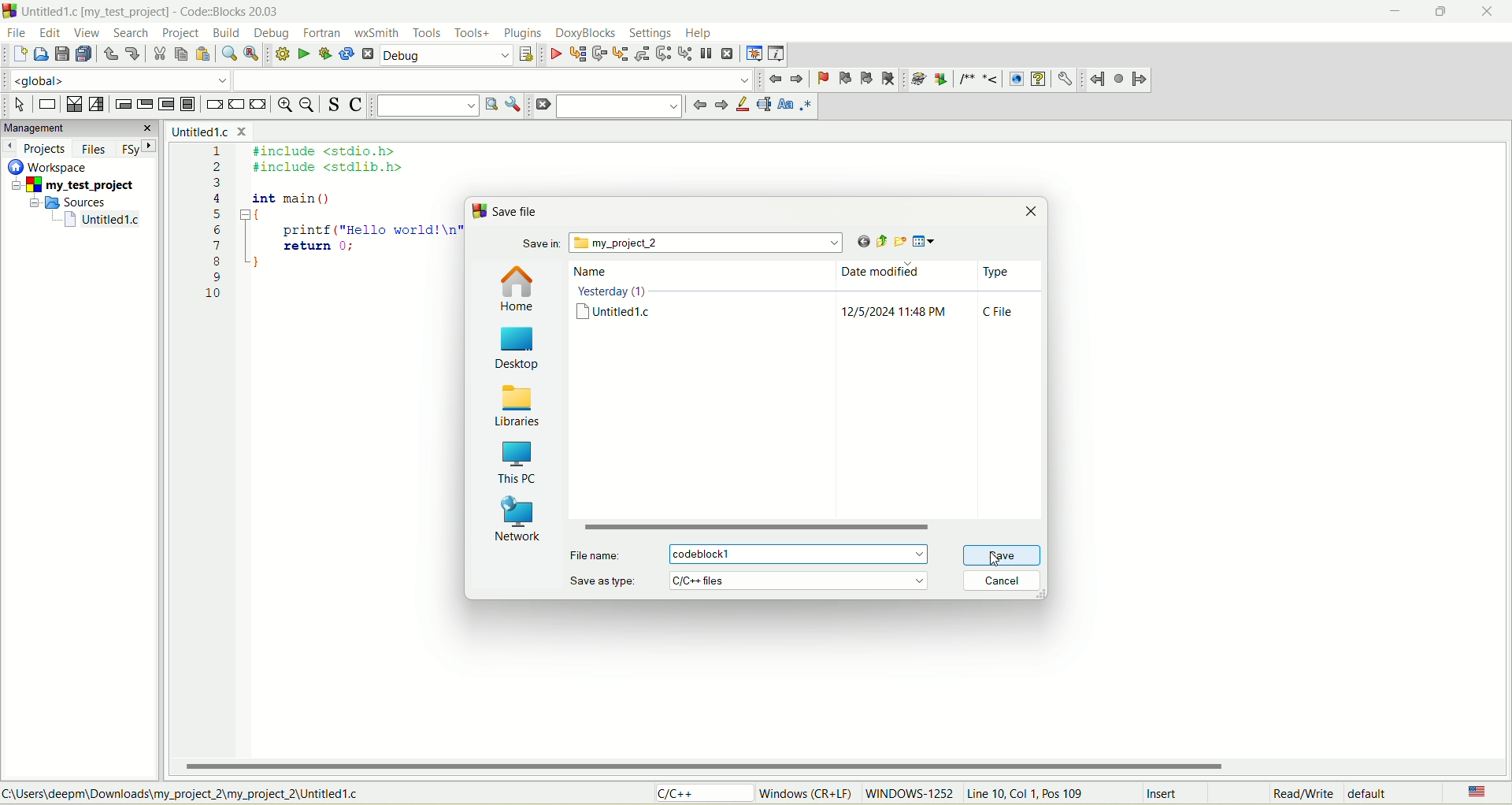 This screenshot has height=805, width=1512. Describe the element at coordinates (9, 10) in the screenshot. I see `logo` at that location.